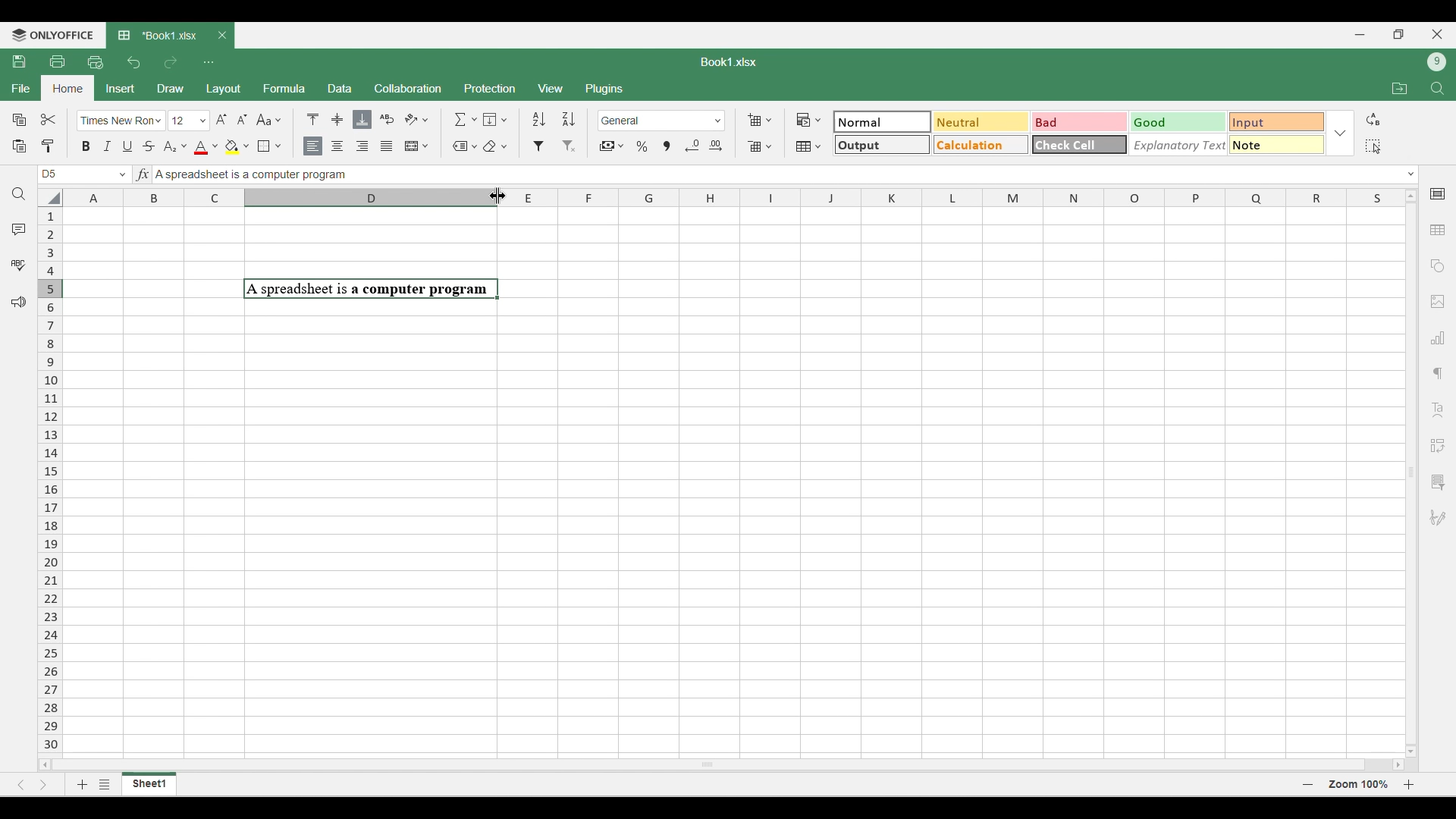  What do you see at coordinates (502, 193) in the screenshot?
I see `Cursor` at bounding box center [502, 193].